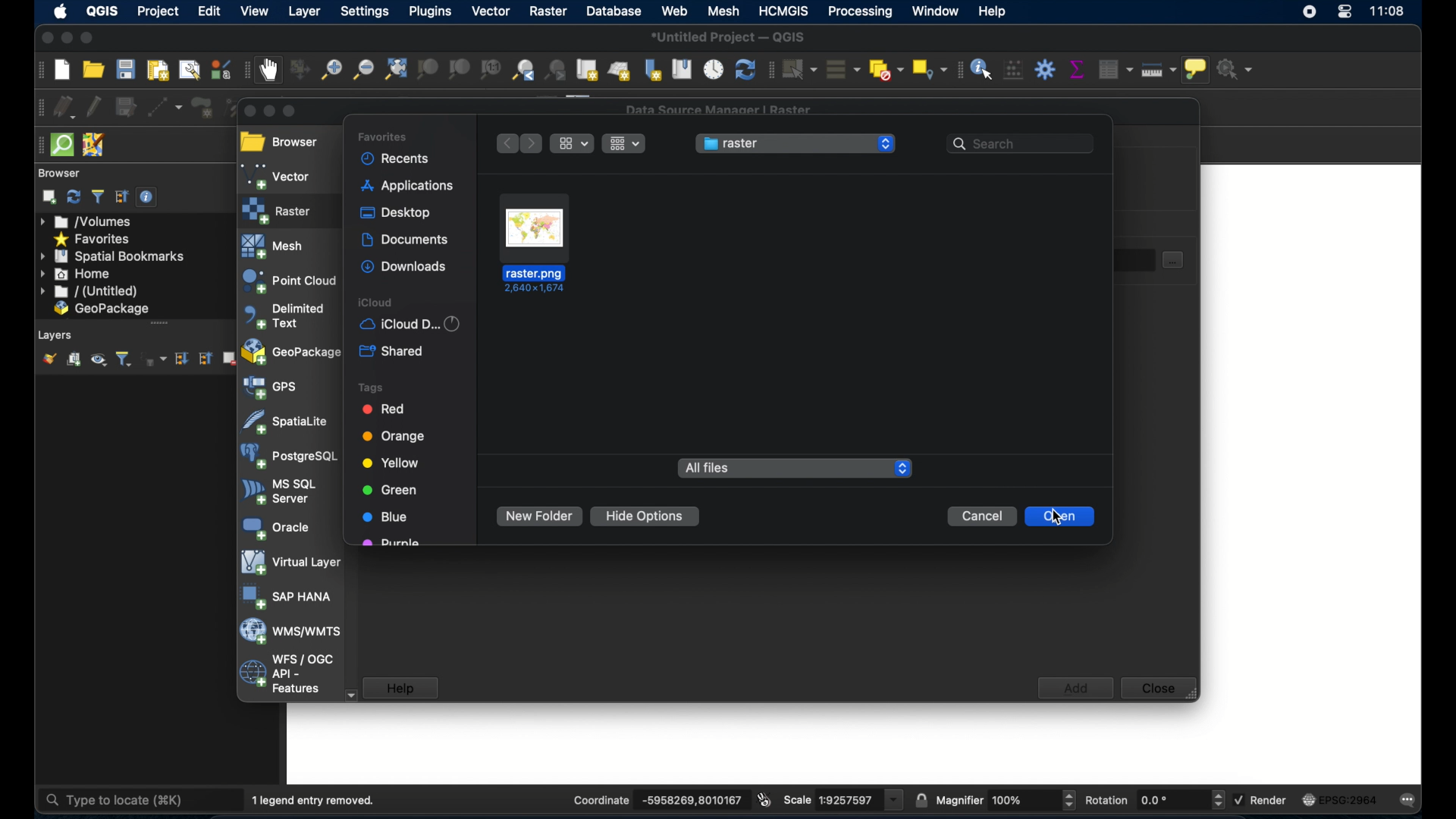 The image size is (1456, 819). I want to click on new map view, so click(588, 70).